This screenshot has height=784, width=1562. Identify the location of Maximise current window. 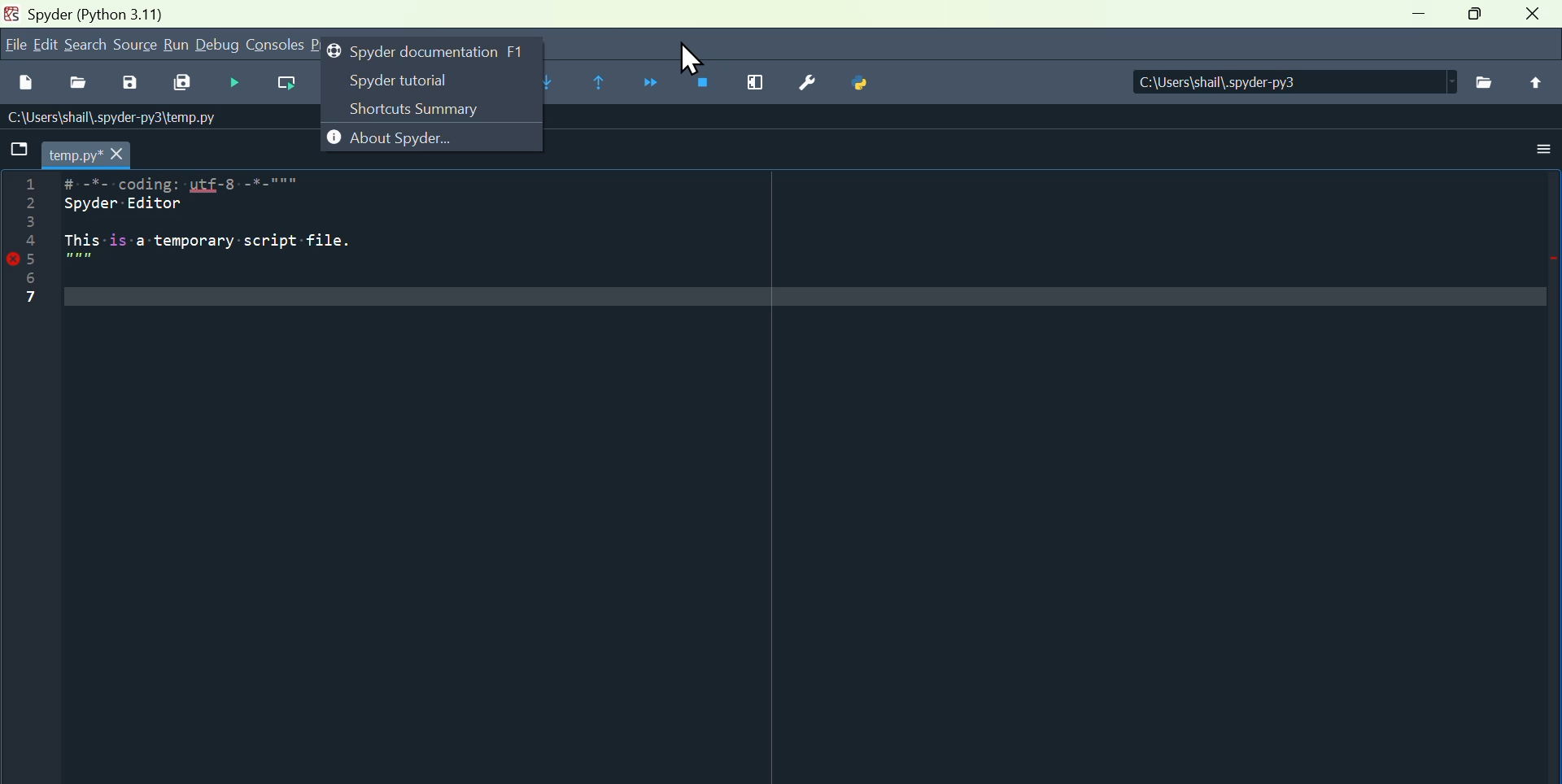
(759, 80).